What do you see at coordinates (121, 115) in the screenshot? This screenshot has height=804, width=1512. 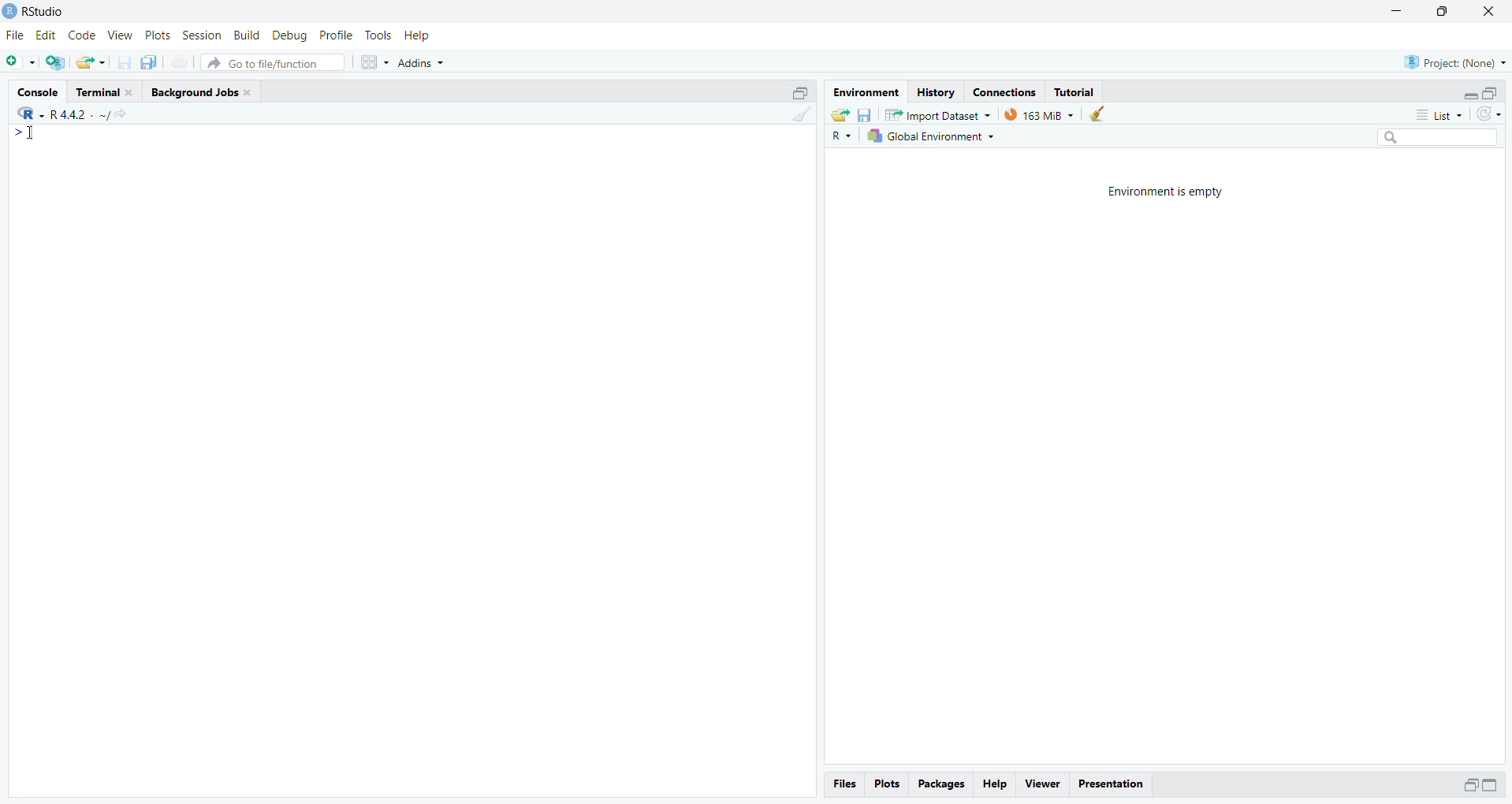 I see `share icon` at bounding box center [121, 115].